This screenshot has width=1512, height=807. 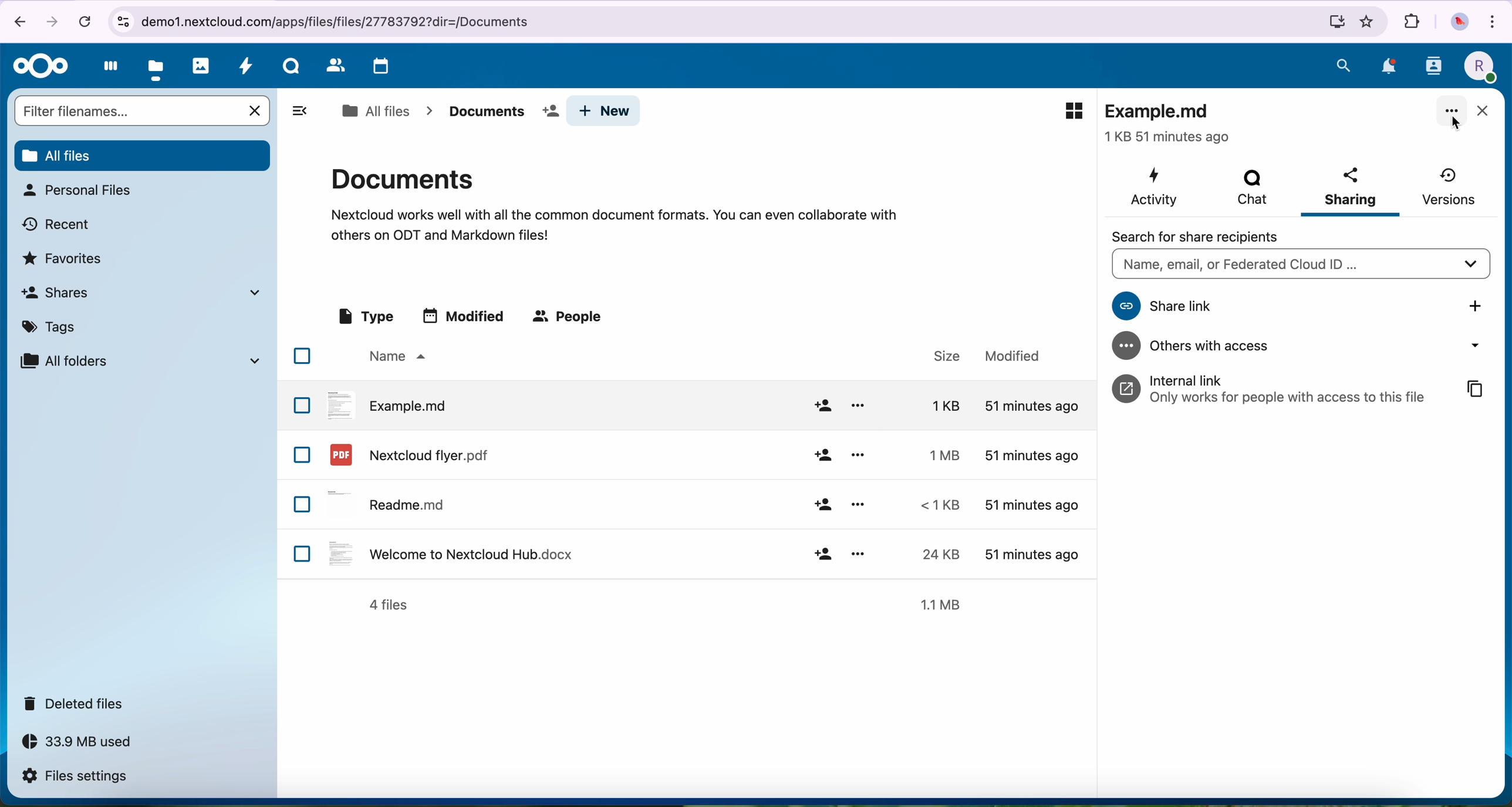 I want to click on url, so click(x=728, y=22).